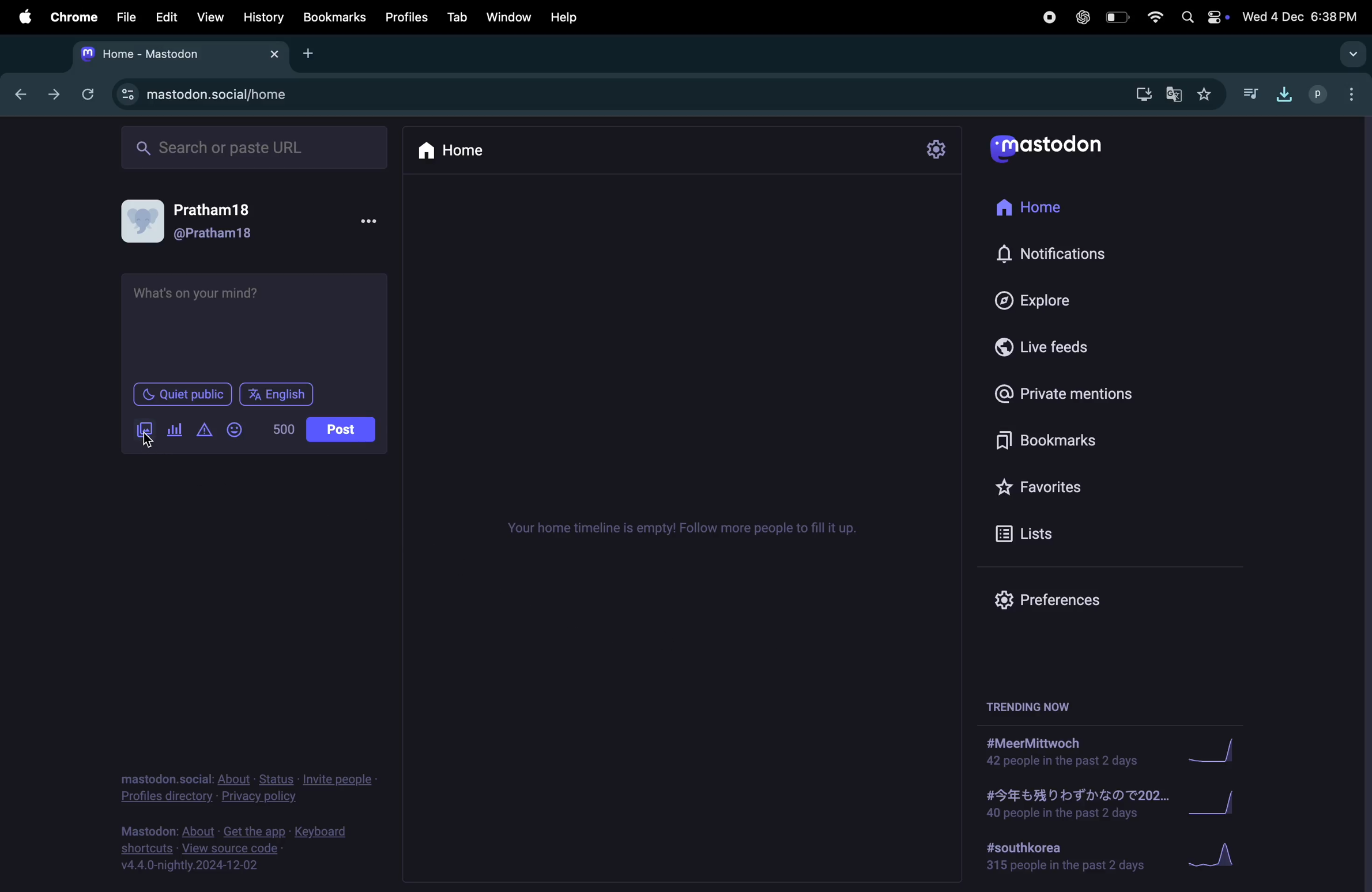 The image size is (1372, 892). What do you see at coordinates (51, 97) in the screenshot?
I see `forward` at bounding box center [51, 97].